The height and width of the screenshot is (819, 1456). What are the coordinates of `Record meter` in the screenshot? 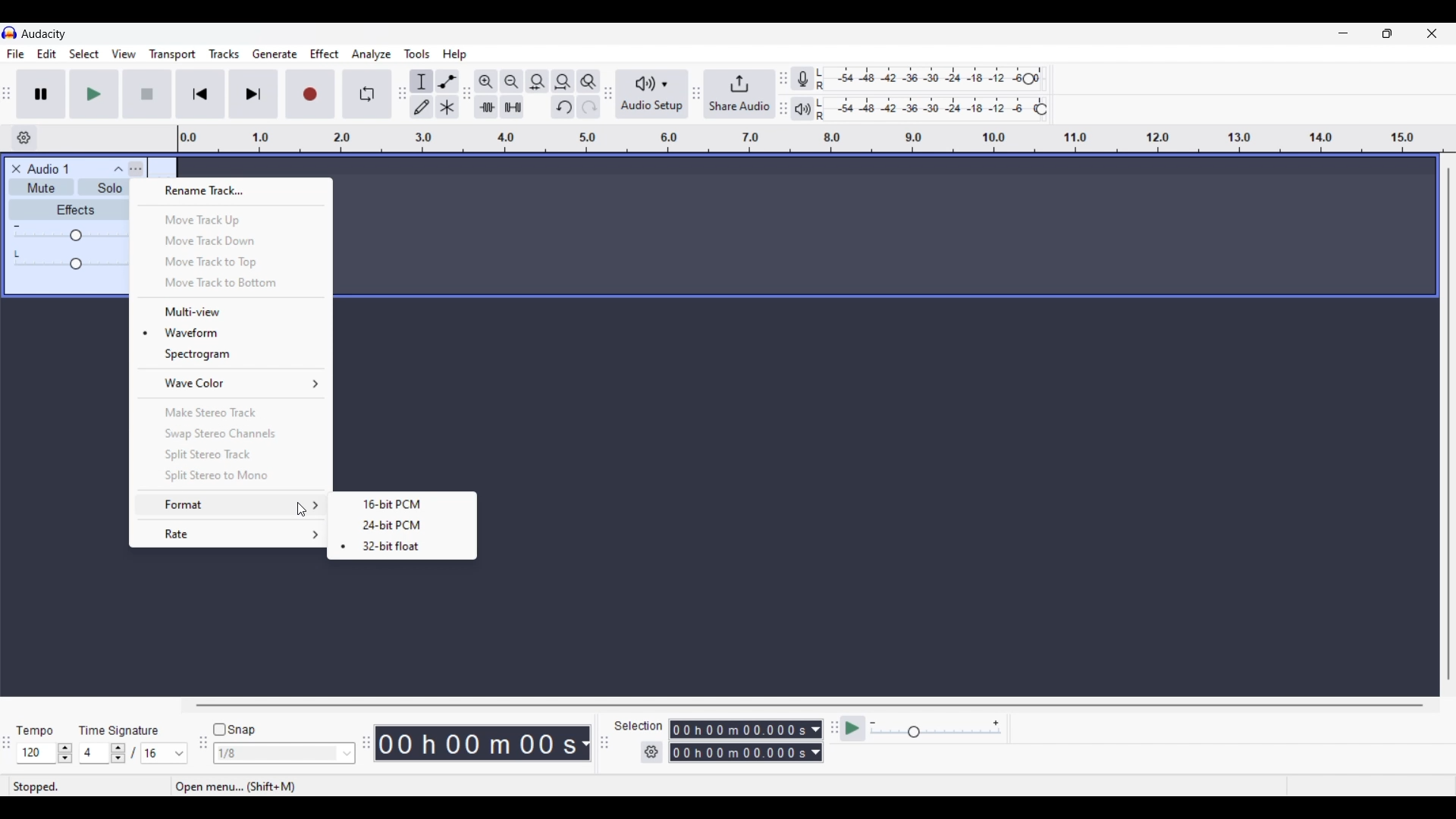 It's located at (811, 79).